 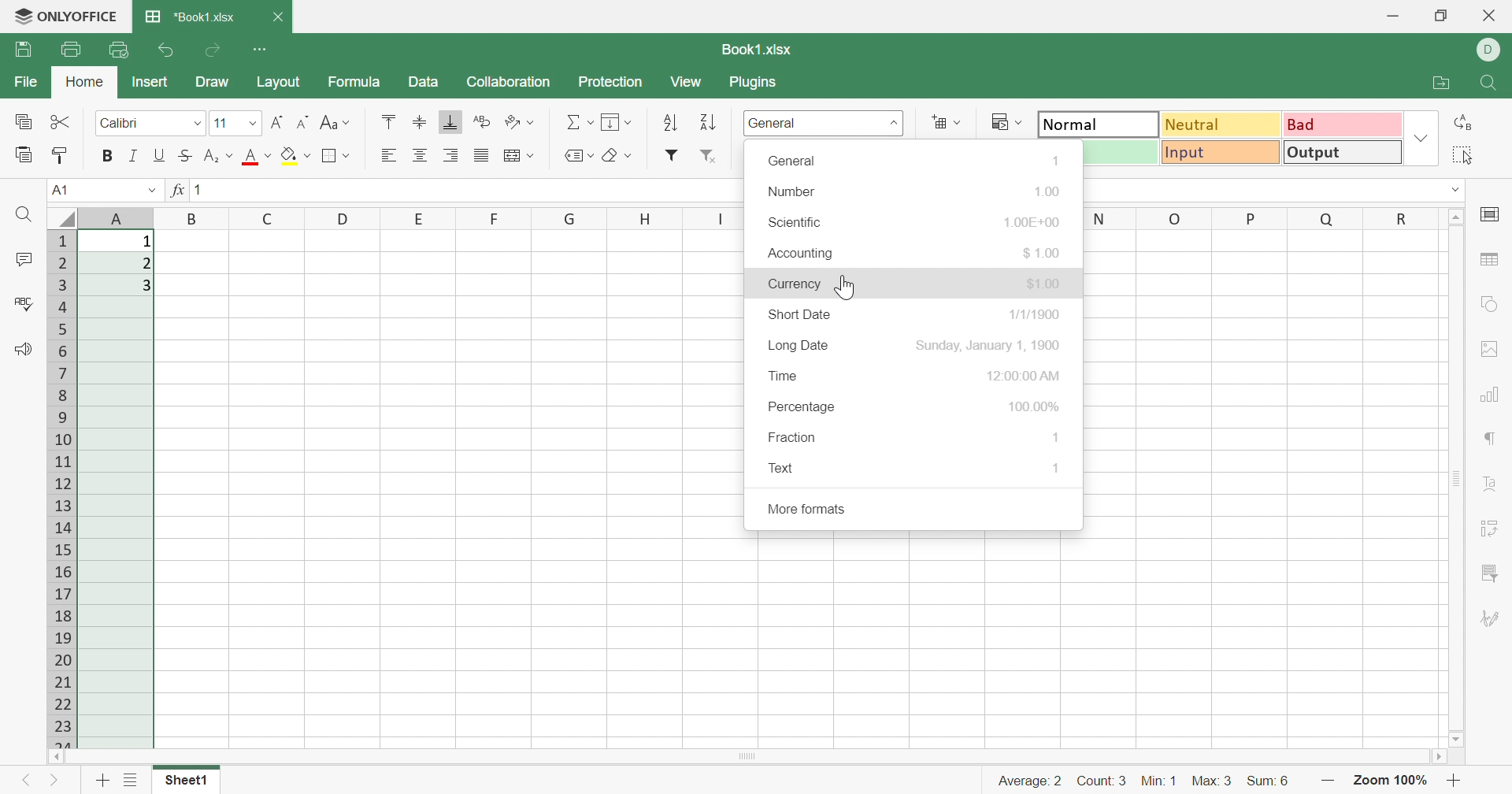 What do you see at coordinates (183, 156) in the screenshot?
I see `Strikethrough` at bounding box center [183, 156].